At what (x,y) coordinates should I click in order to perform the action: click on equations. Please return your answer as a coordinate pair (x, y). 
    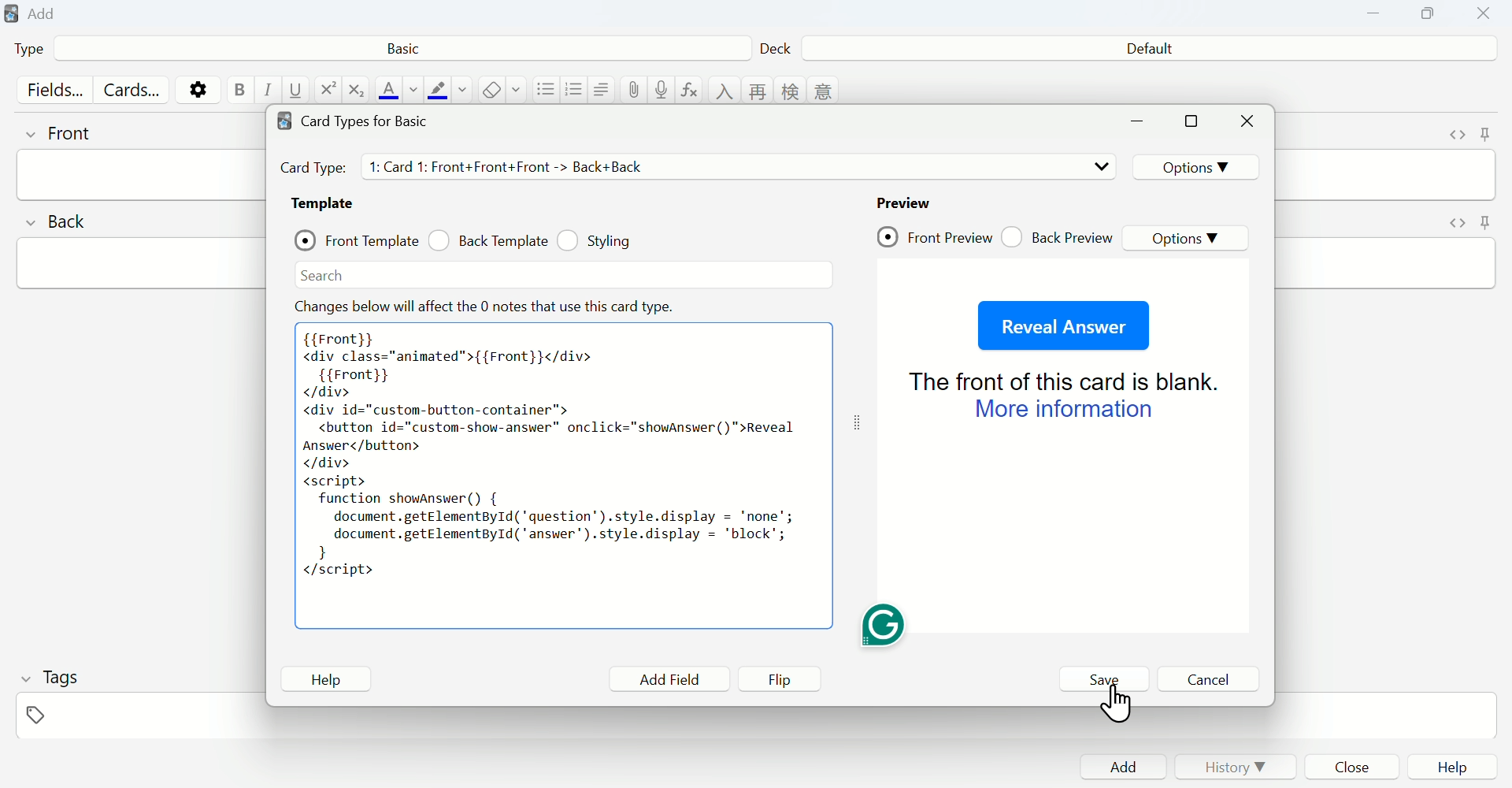
    Looking at the image, I should click on (689, 90).